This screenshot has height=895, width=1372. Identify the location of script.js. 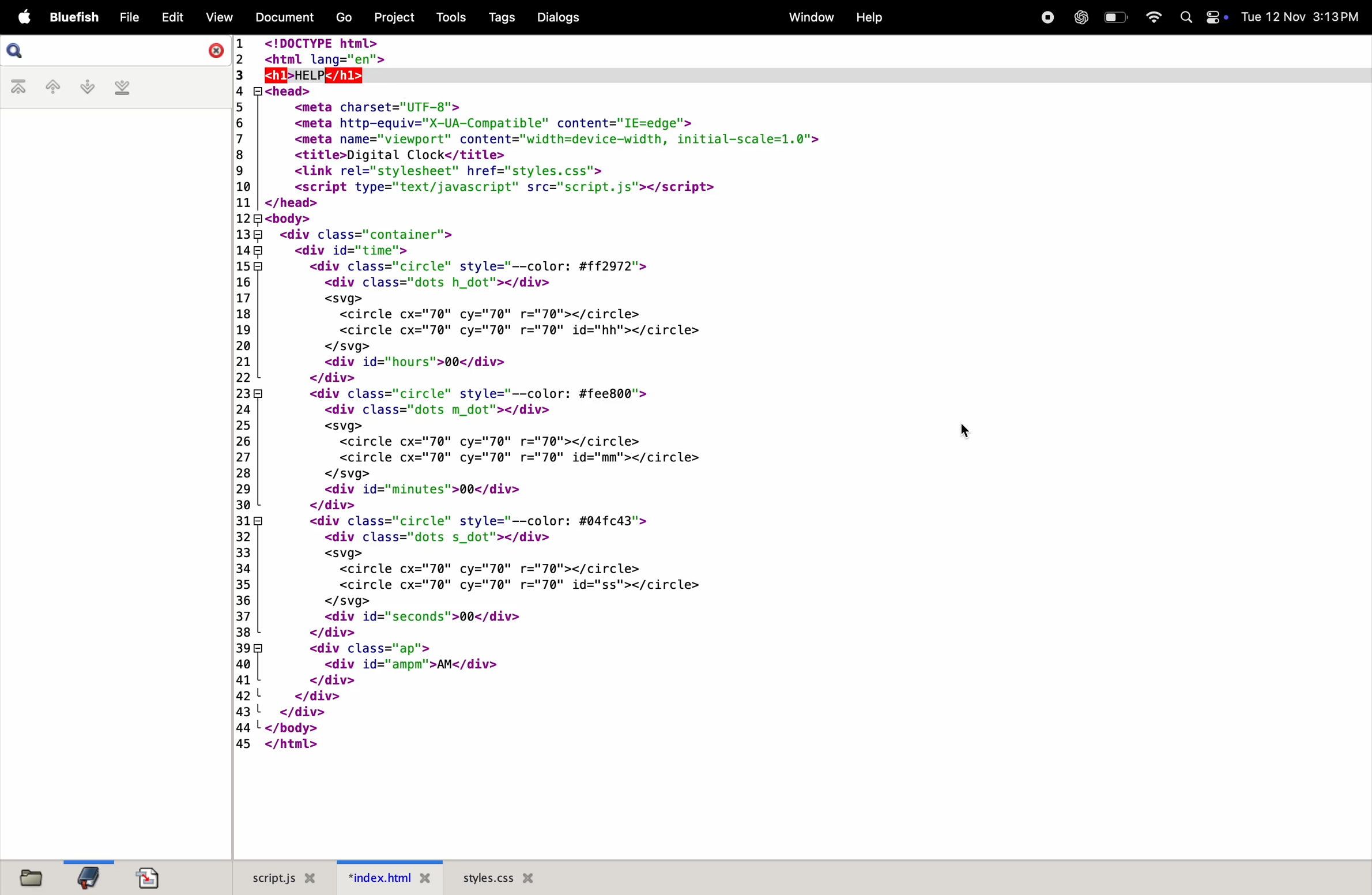
(277, 878).